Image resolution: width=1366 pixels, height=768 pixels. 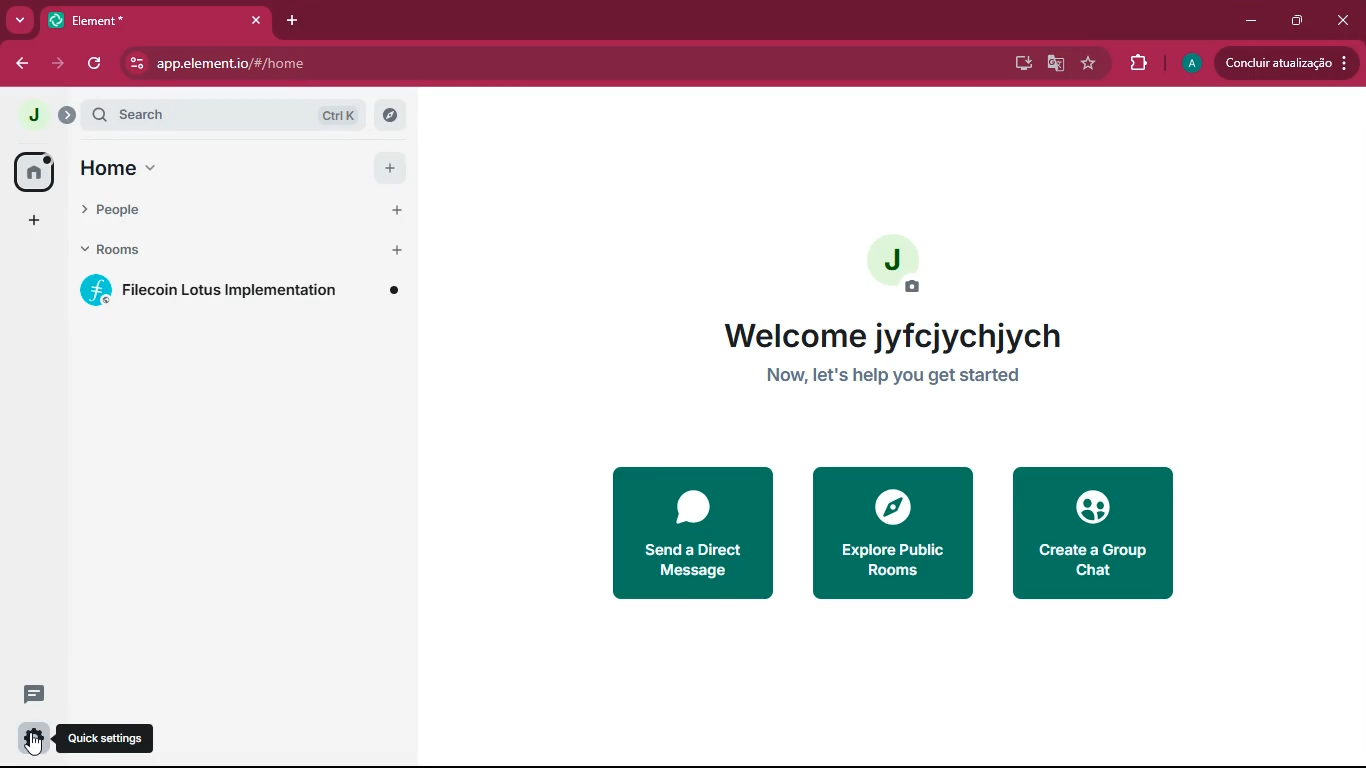 What do you see at coordinates (22, 63) in the screenshot?
I see `back` at bounding box center [22, 63].